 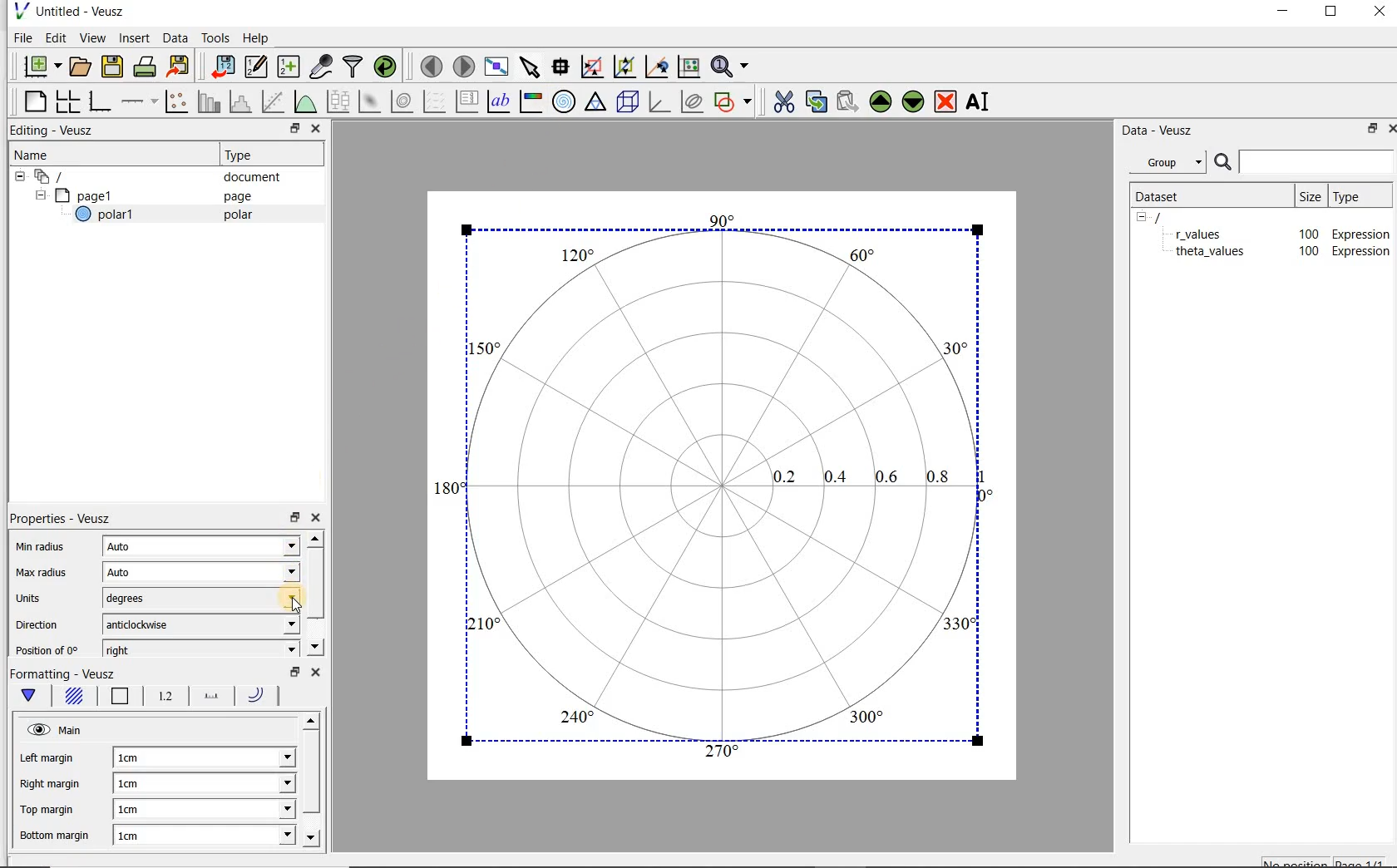 I want to click on Properties - Veusz, so click(x=63, y=519).